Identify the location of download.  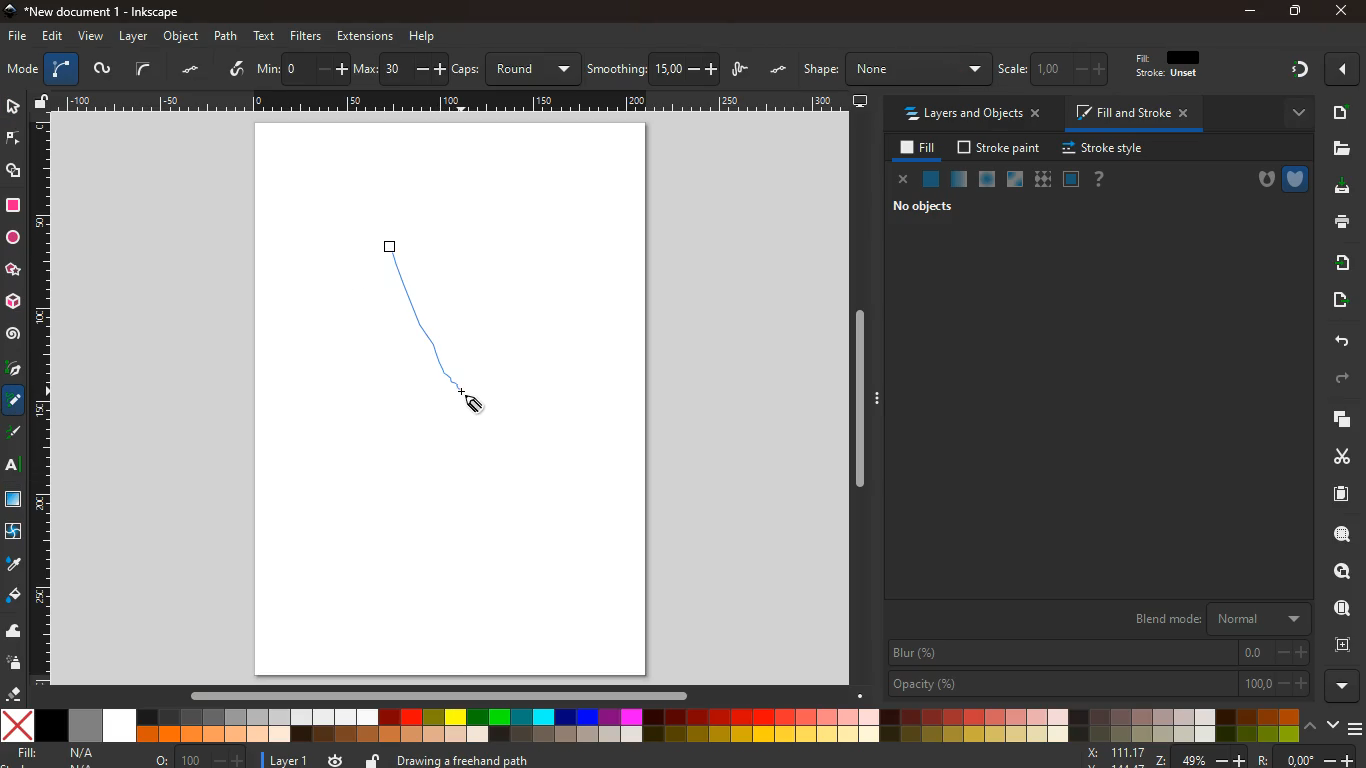
(1336, 188).